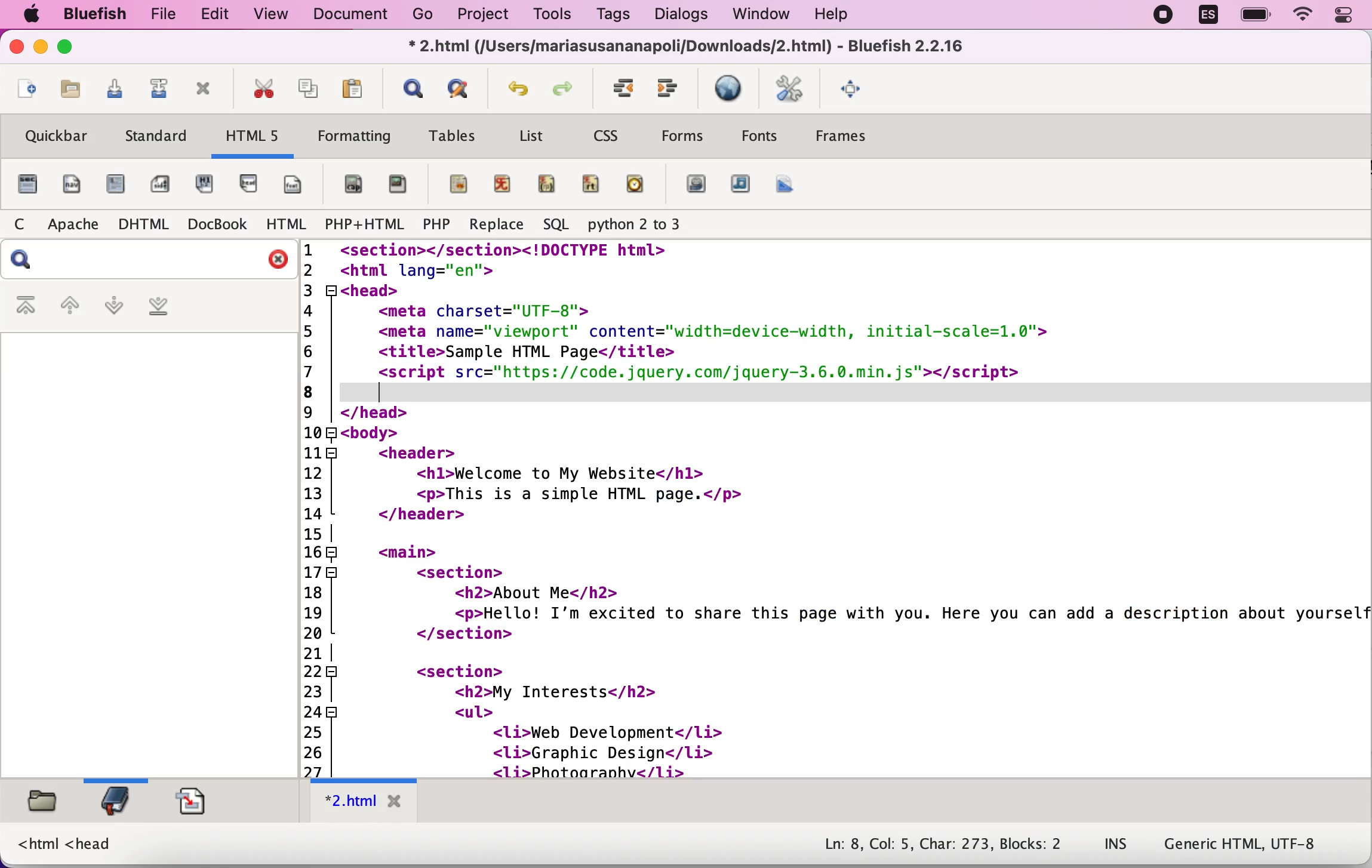  Describe the element at coordinates (27, 184) in the screenshot. I see `file` at that location.